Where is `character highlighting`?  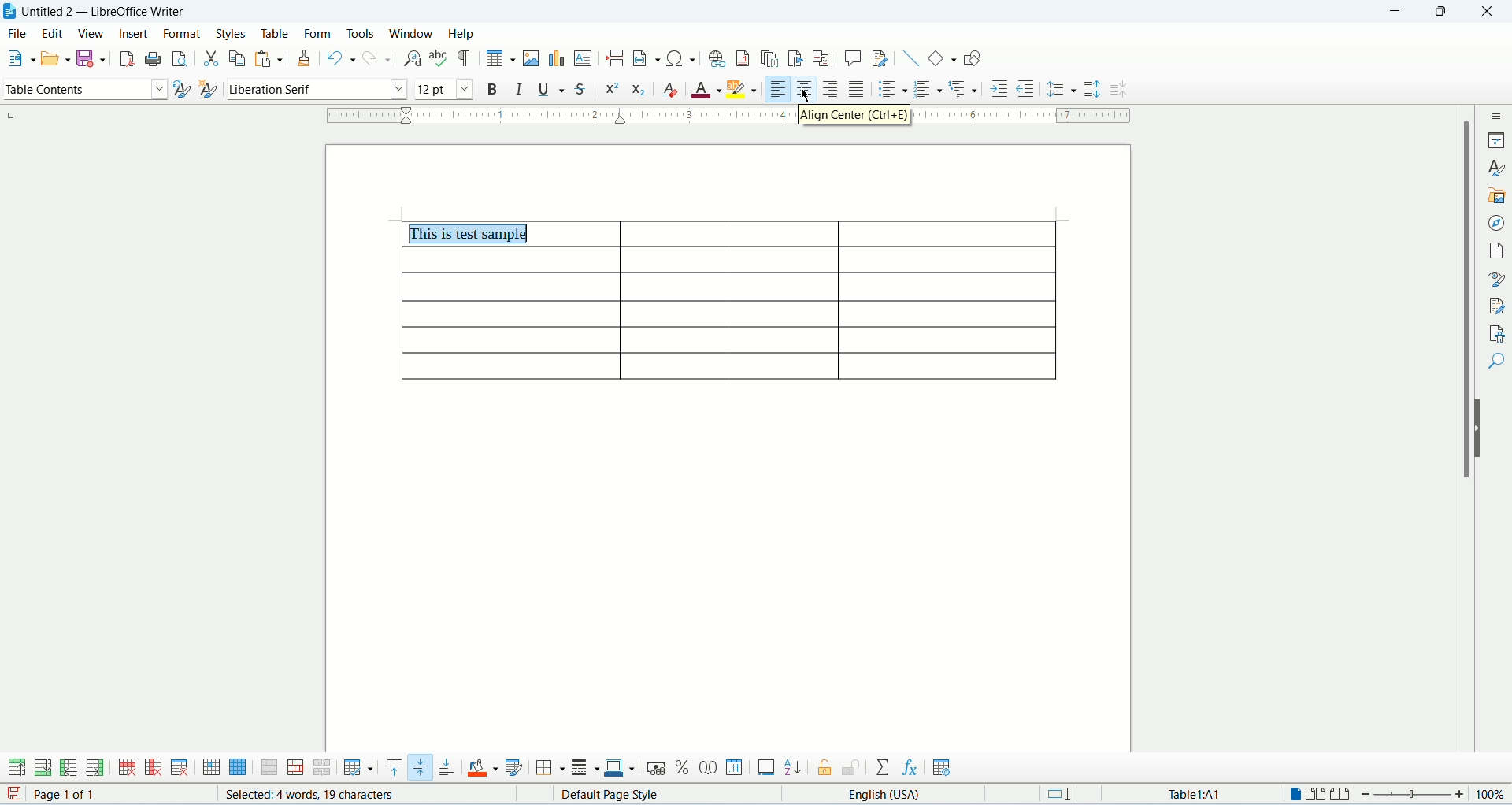
character highlighting is located at coordinates (741, 88).